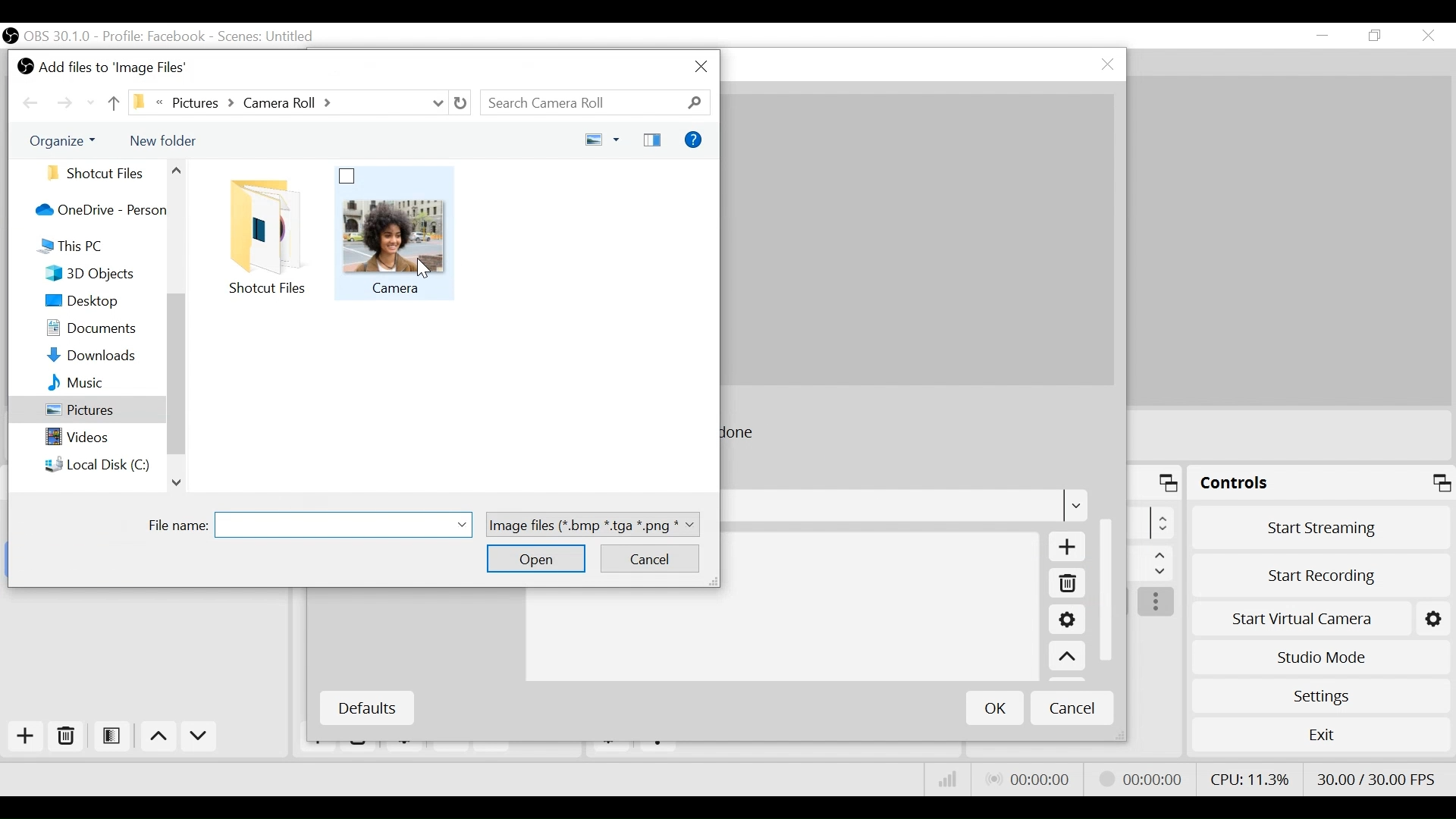 The image size is (1456, 819). Describe the element at coordinates (111, 102) in the screenshot. I see `move up` at that location.